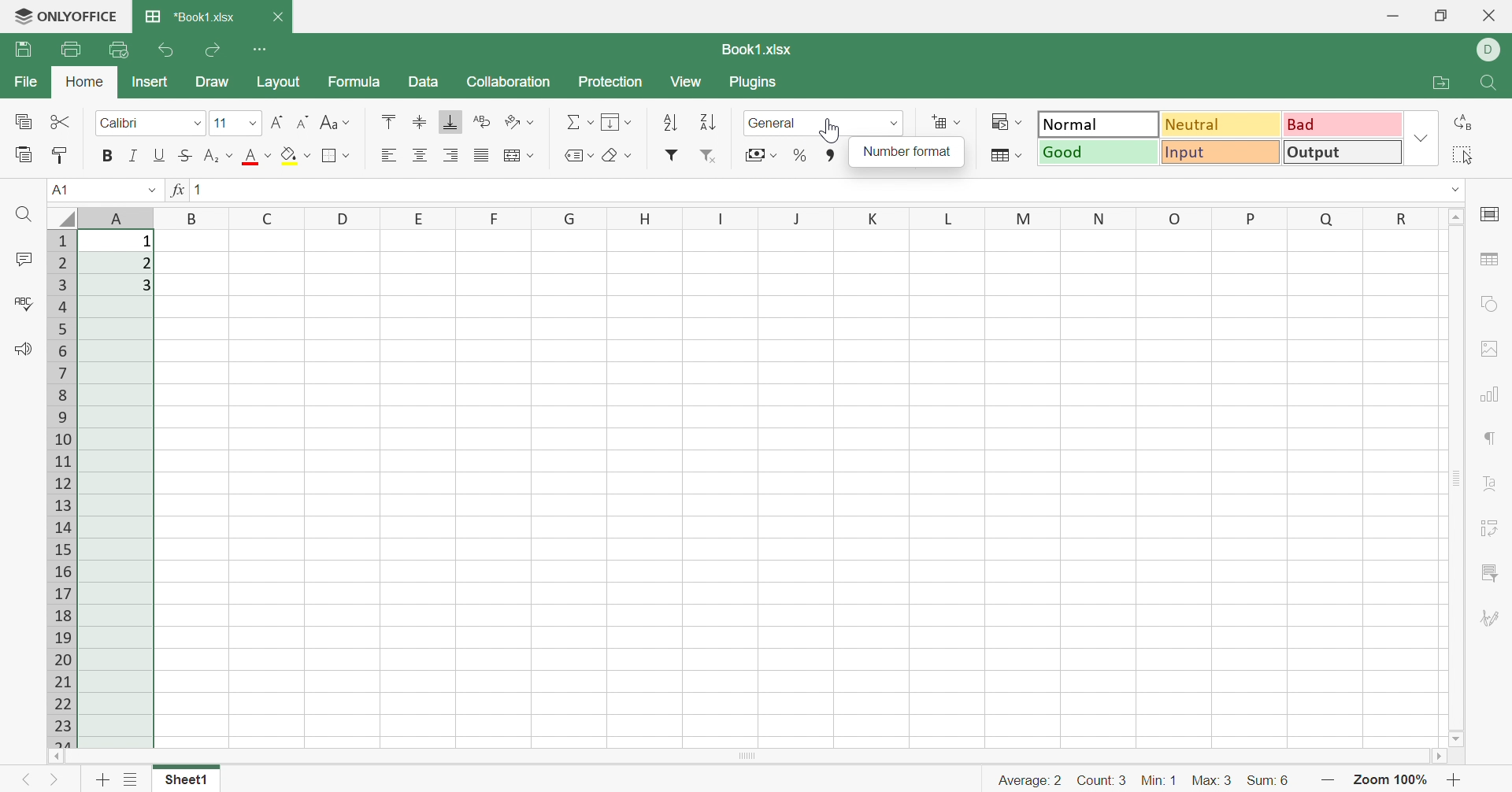 This screenshot has width=1512, height=792. I want to click on Sheet1, so click(185, 780).